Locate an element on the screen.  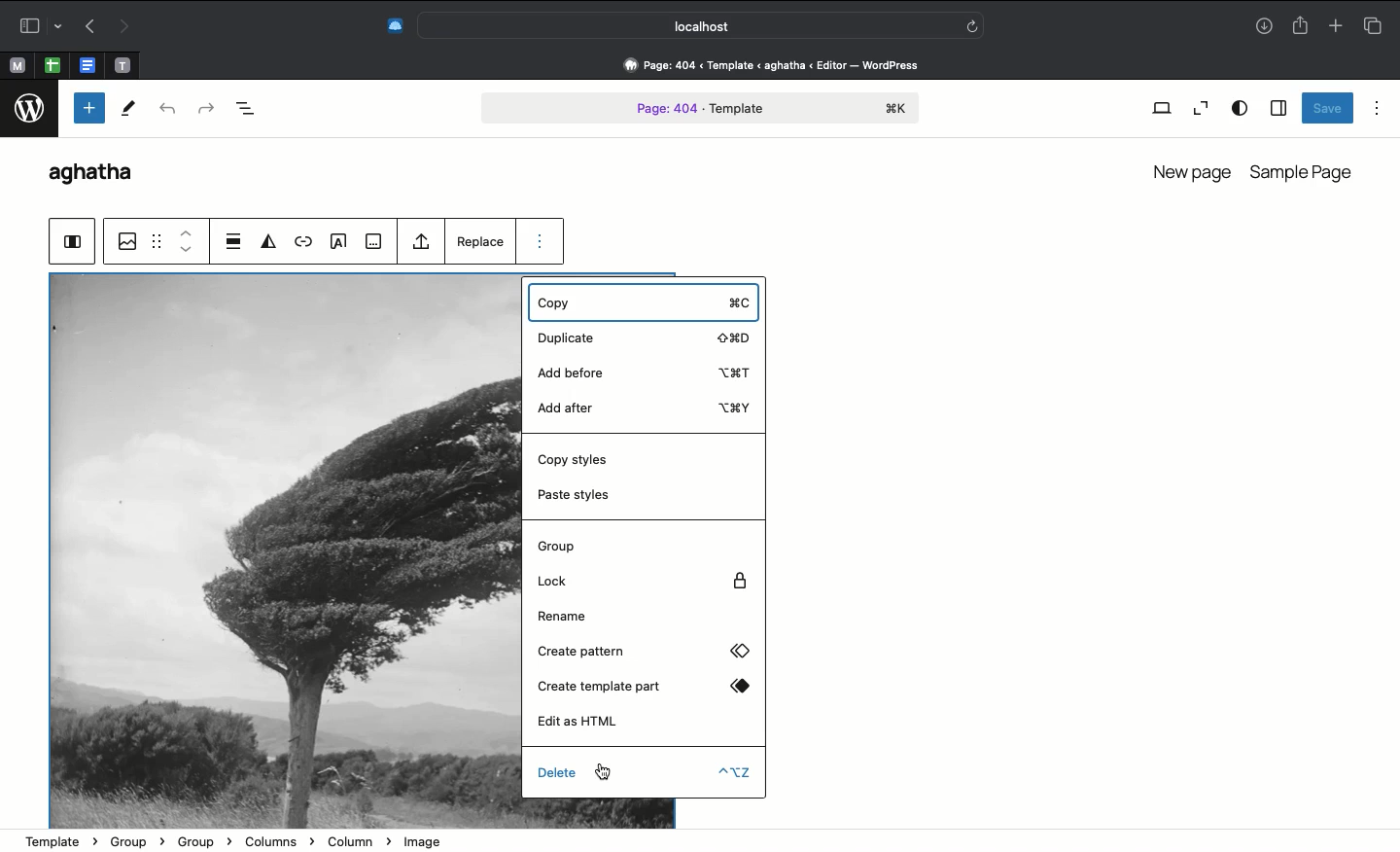
Undo is located at coordinates (90, 25).